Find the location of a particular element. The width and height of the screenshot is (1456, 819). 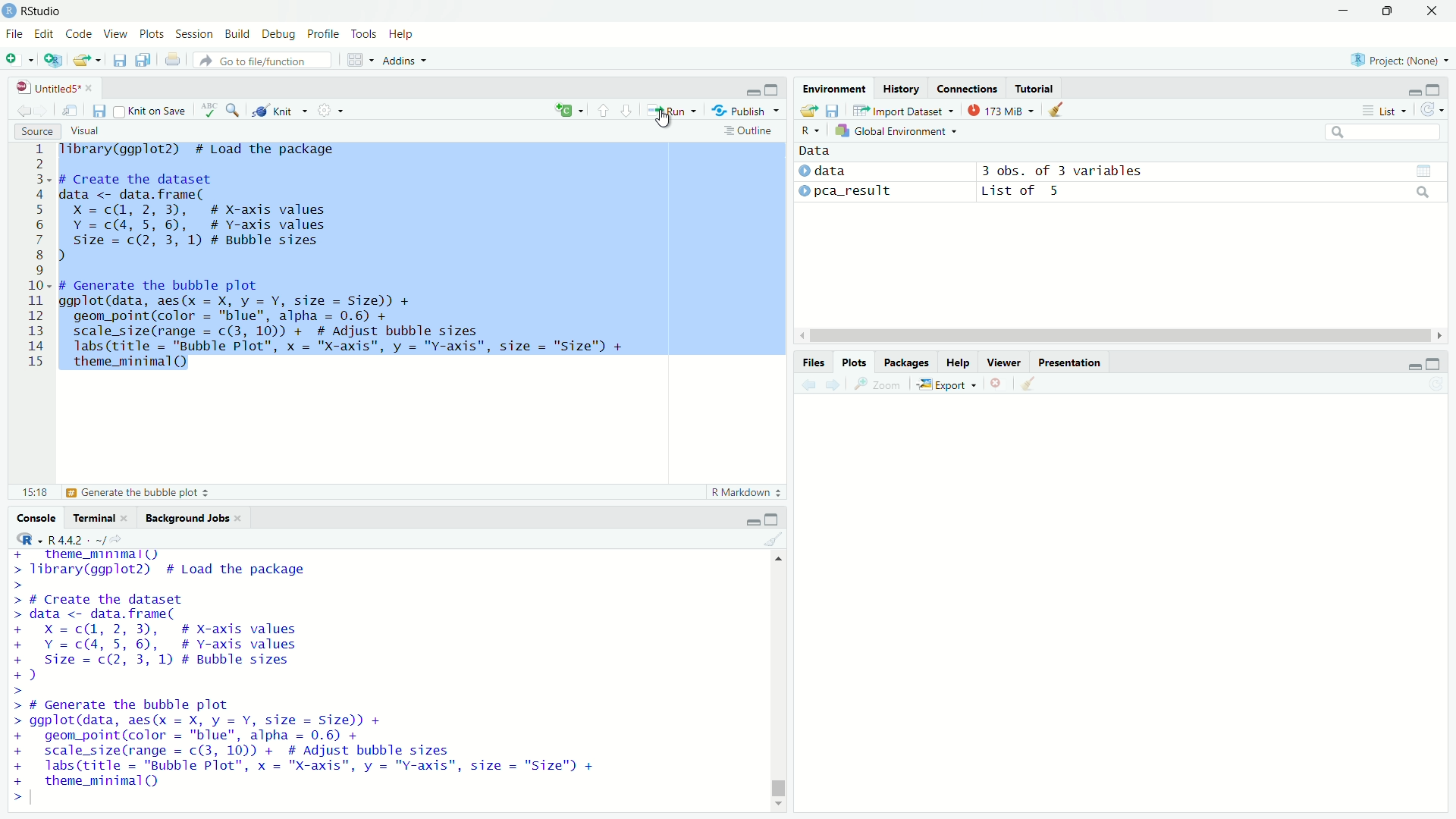

R language is located at coordinates (810, 130).